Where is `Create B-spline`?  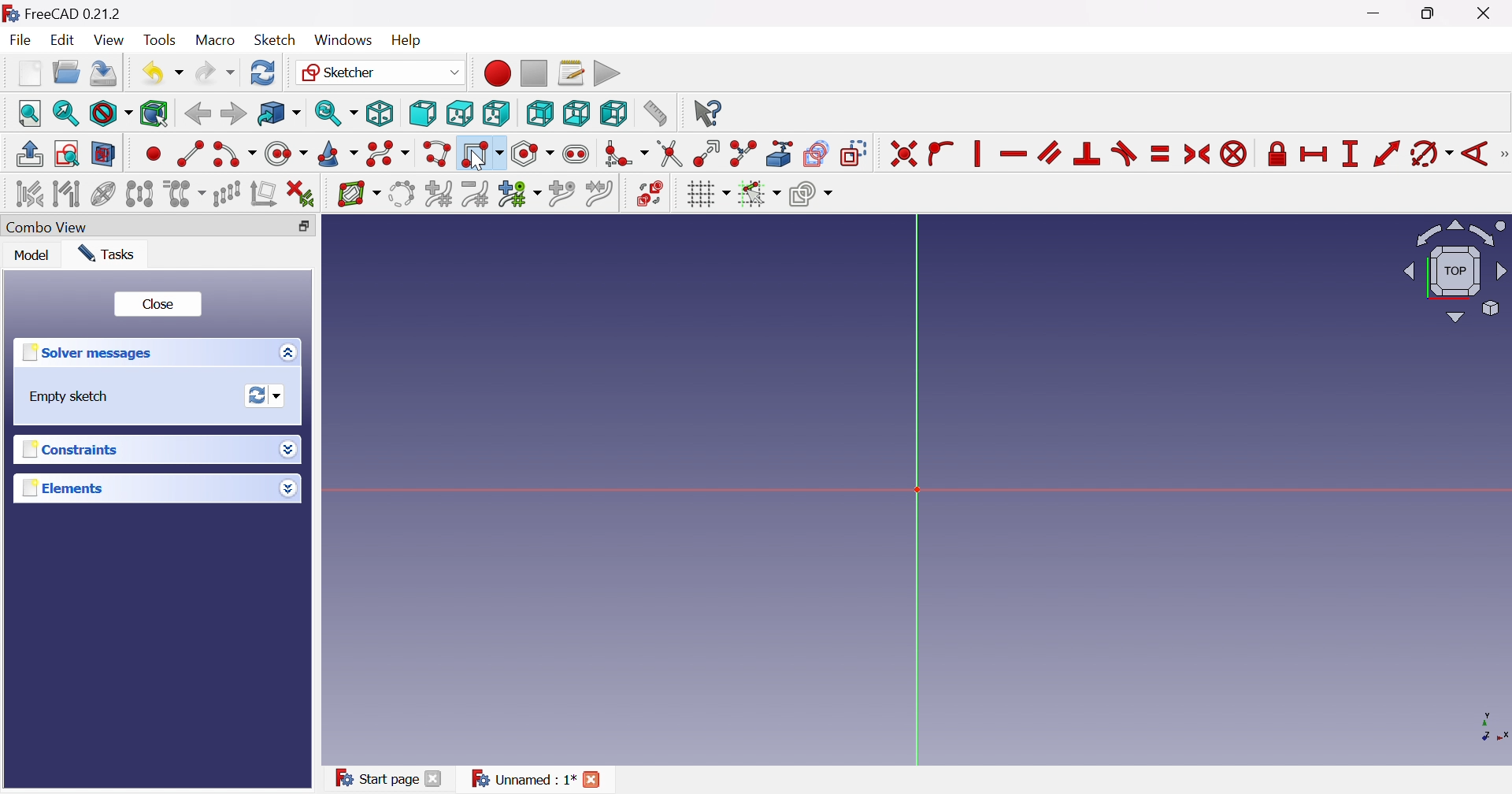 Create B-spline is located at coordinates (387, 154).